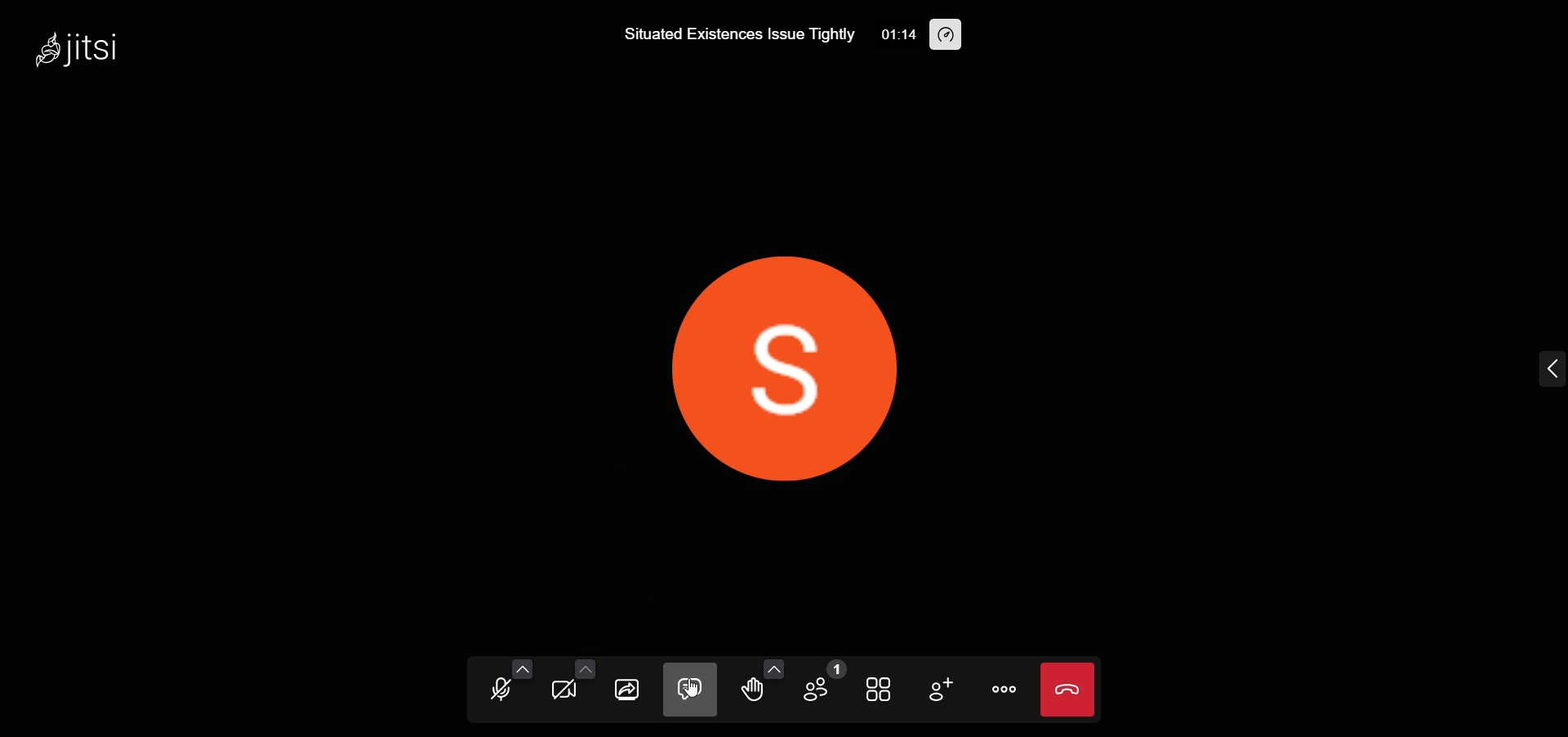  What do you see at coordinates (584, 670) in the screenshot?
I see `more camera option` at bounding box center [584, 670].